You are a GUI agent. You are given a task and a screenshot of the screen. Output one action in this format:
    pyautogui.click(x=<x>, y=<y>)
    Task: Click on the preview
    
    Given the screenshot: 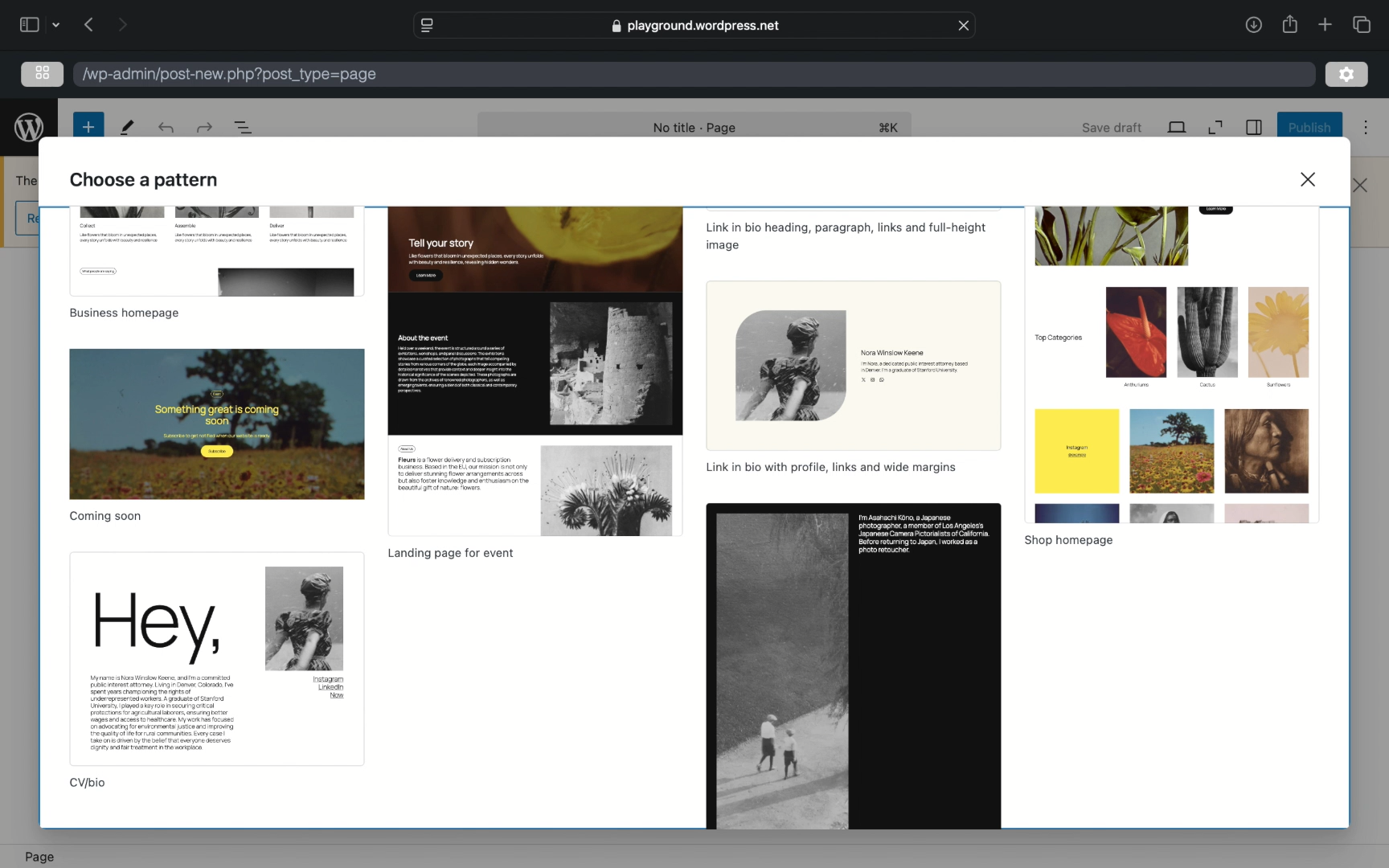 What is the action you would take?
    pyautogui.click(x=854, y=666)
    